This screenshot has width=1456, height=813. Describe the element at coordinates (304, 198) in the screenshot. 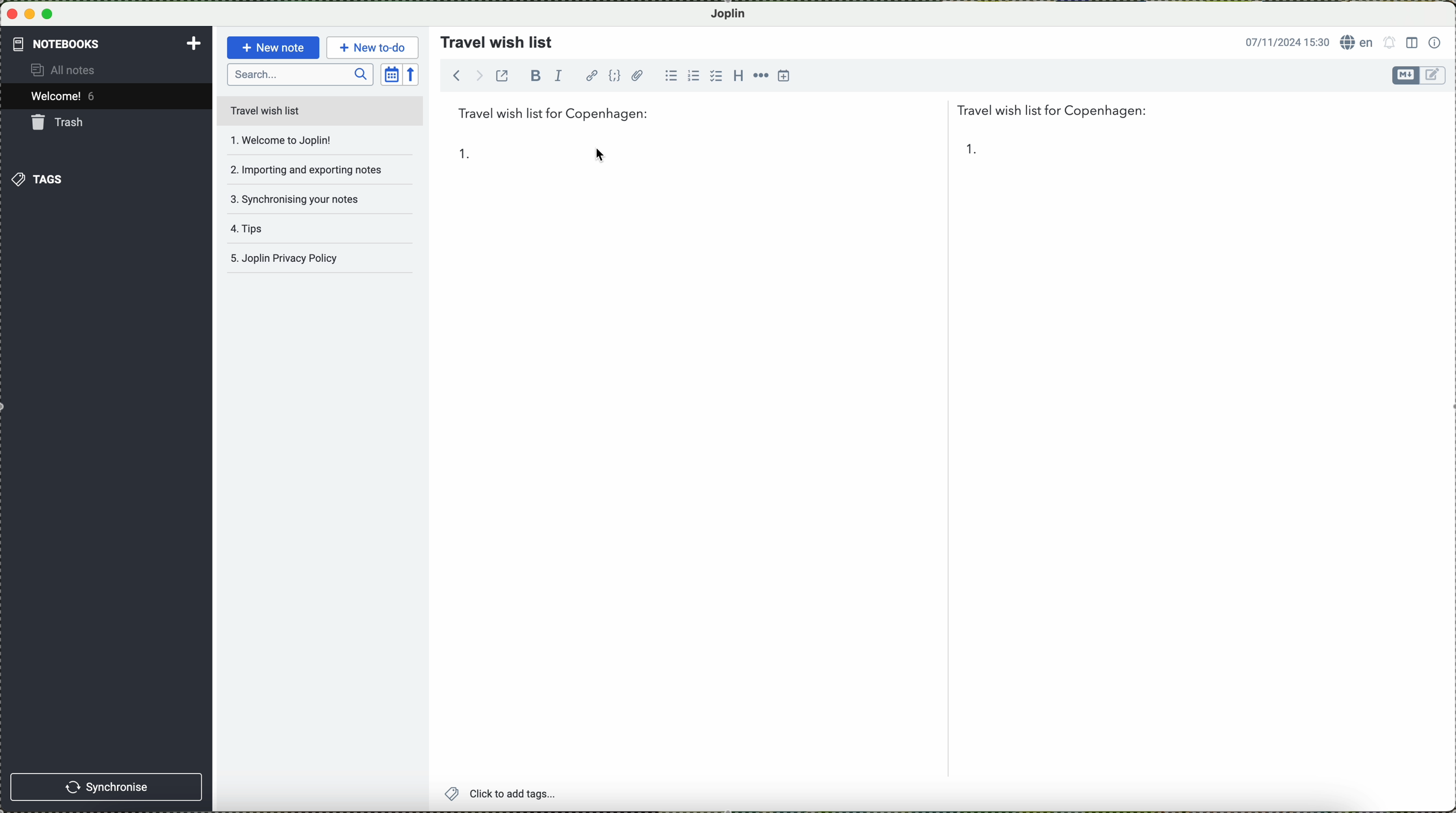

I see `synchronising your notes` at that location.